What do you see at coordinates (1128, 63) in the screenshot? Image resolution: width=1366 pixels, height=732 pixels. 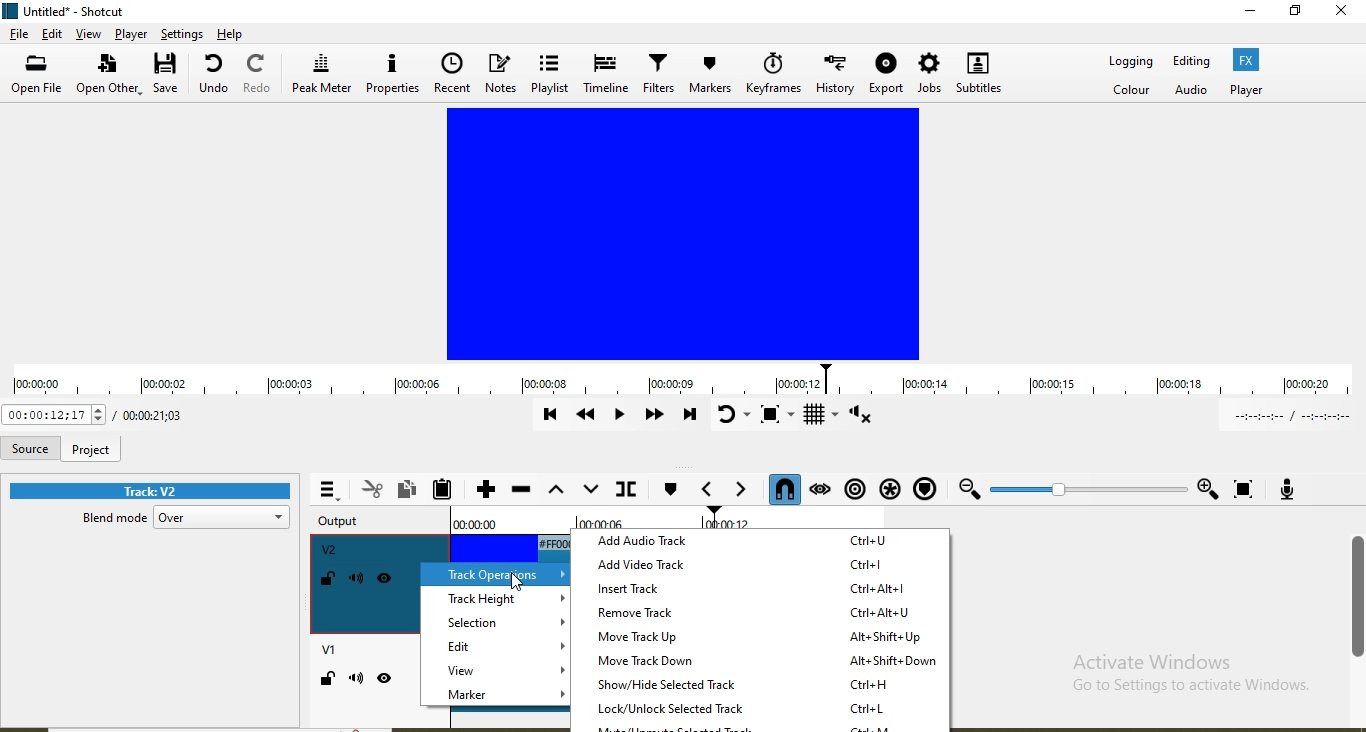 I see `Logging` at bounding box center [1128, 63].